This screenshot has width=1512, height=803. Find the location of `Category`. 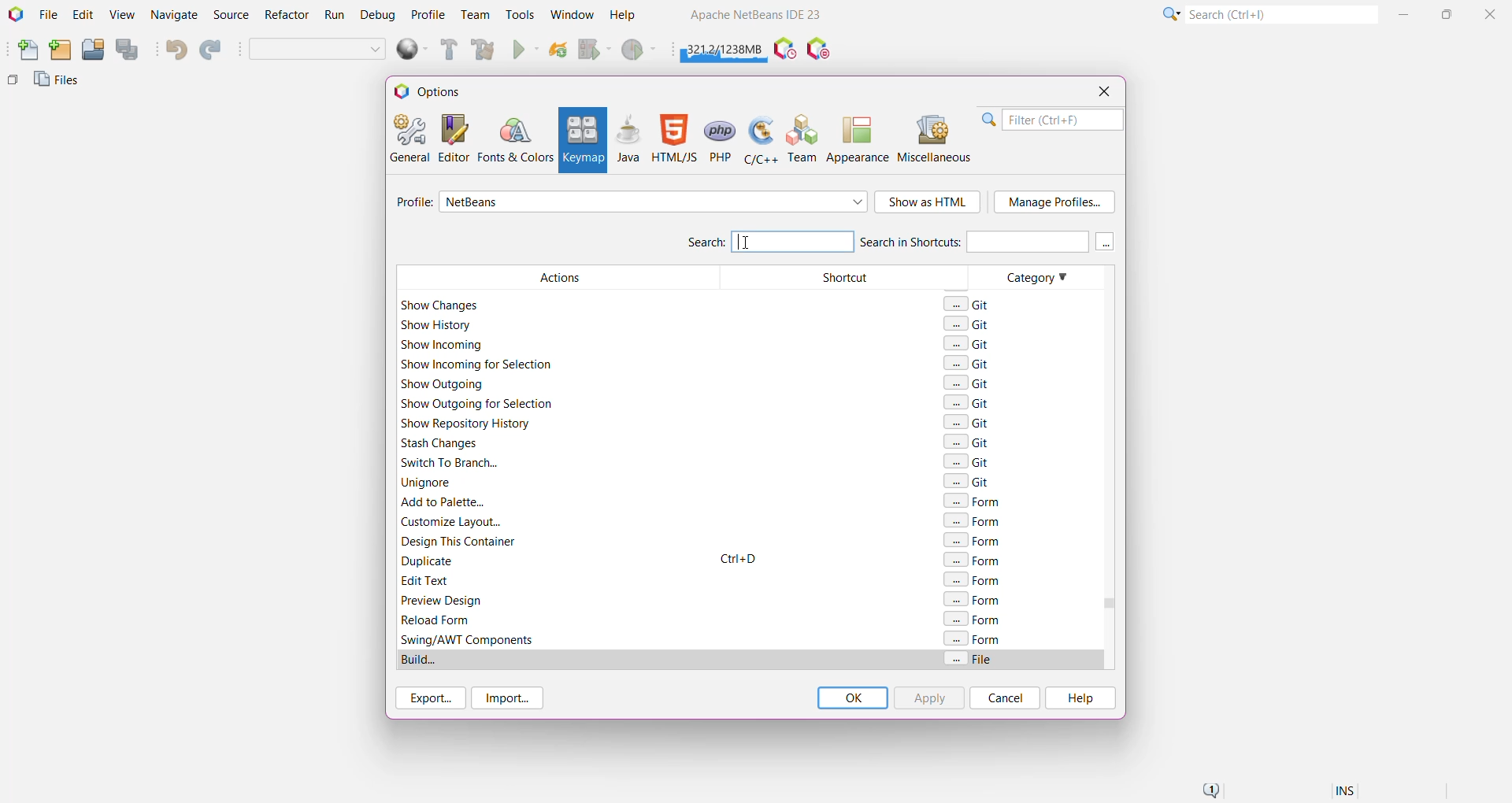

Category is located at coordinates (1030, 468).